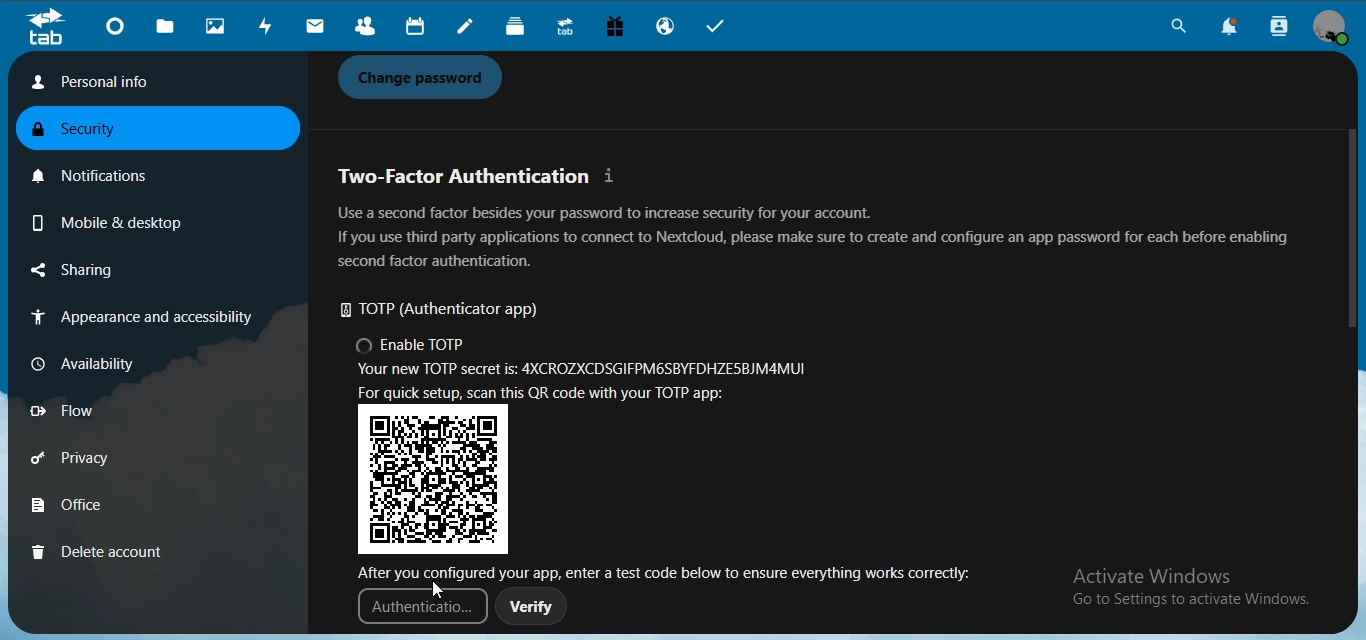 The height and width of the screenshot is (640, 1366). I want to click on search contacts, so click(1280, 27).